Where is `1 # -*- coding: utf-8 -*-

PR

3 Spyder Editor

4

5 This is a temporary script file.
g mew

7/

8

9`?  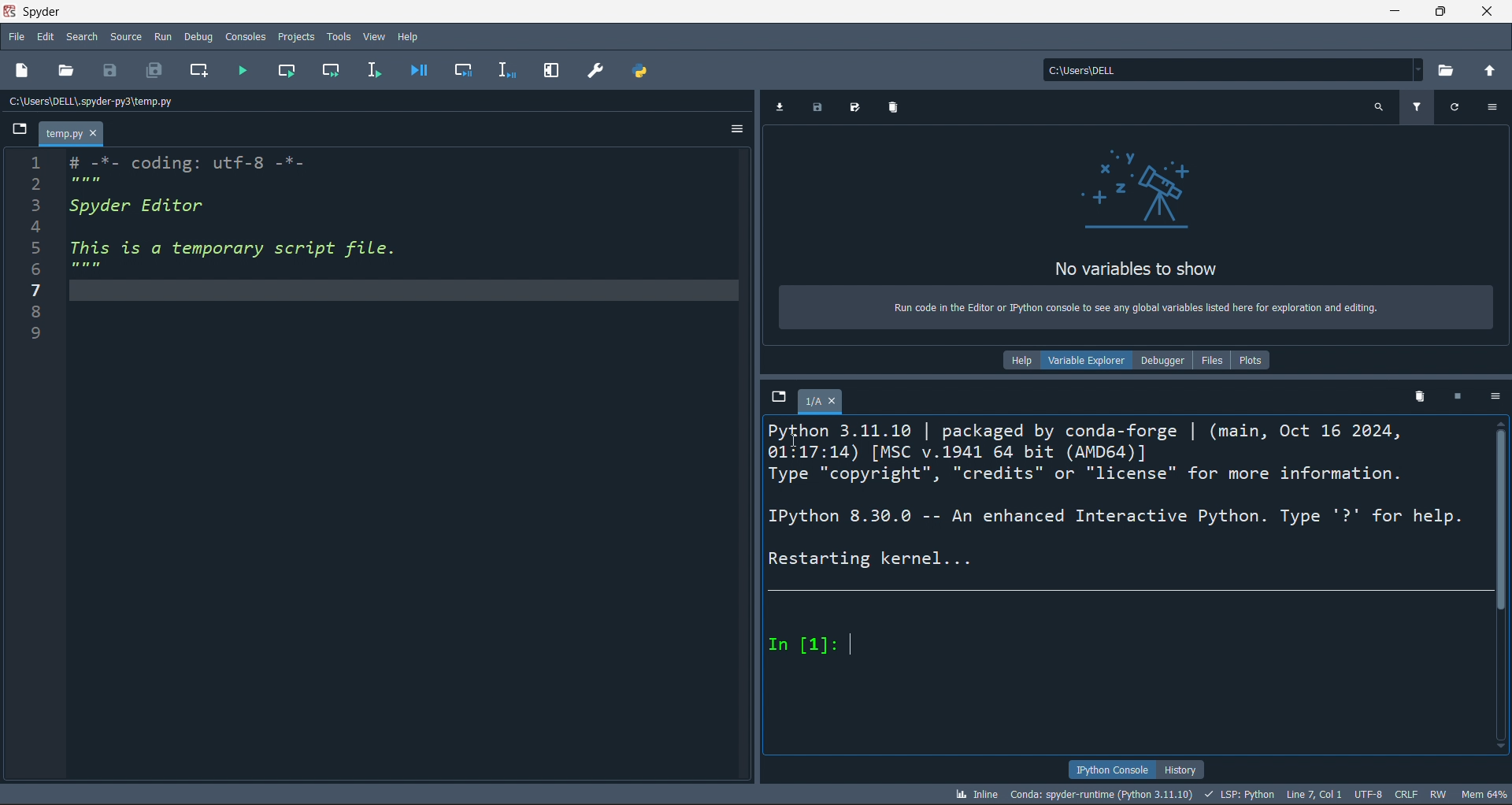 1 # -*- coding: utf-8 -*-

PR

3 Spyder Editor

4

5 This is a temporary script file.
g mew

7/

8

9 is located at coordinates (233, 253).